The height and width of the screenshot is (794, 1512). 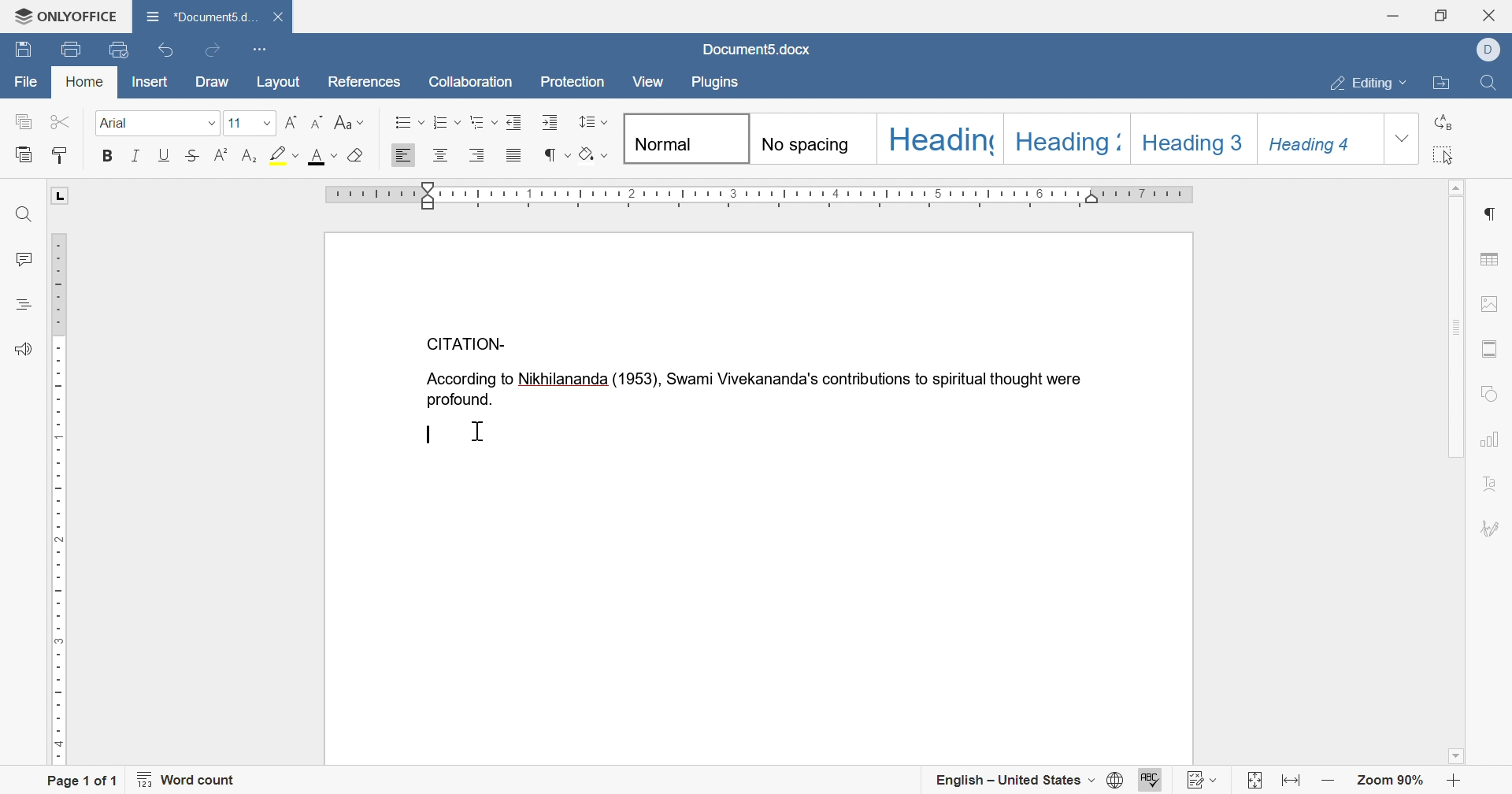 What do you see at coordinates (1488, 348) in the screenshot?
I see `header and footer settings` at bounding box center [1488, 348].